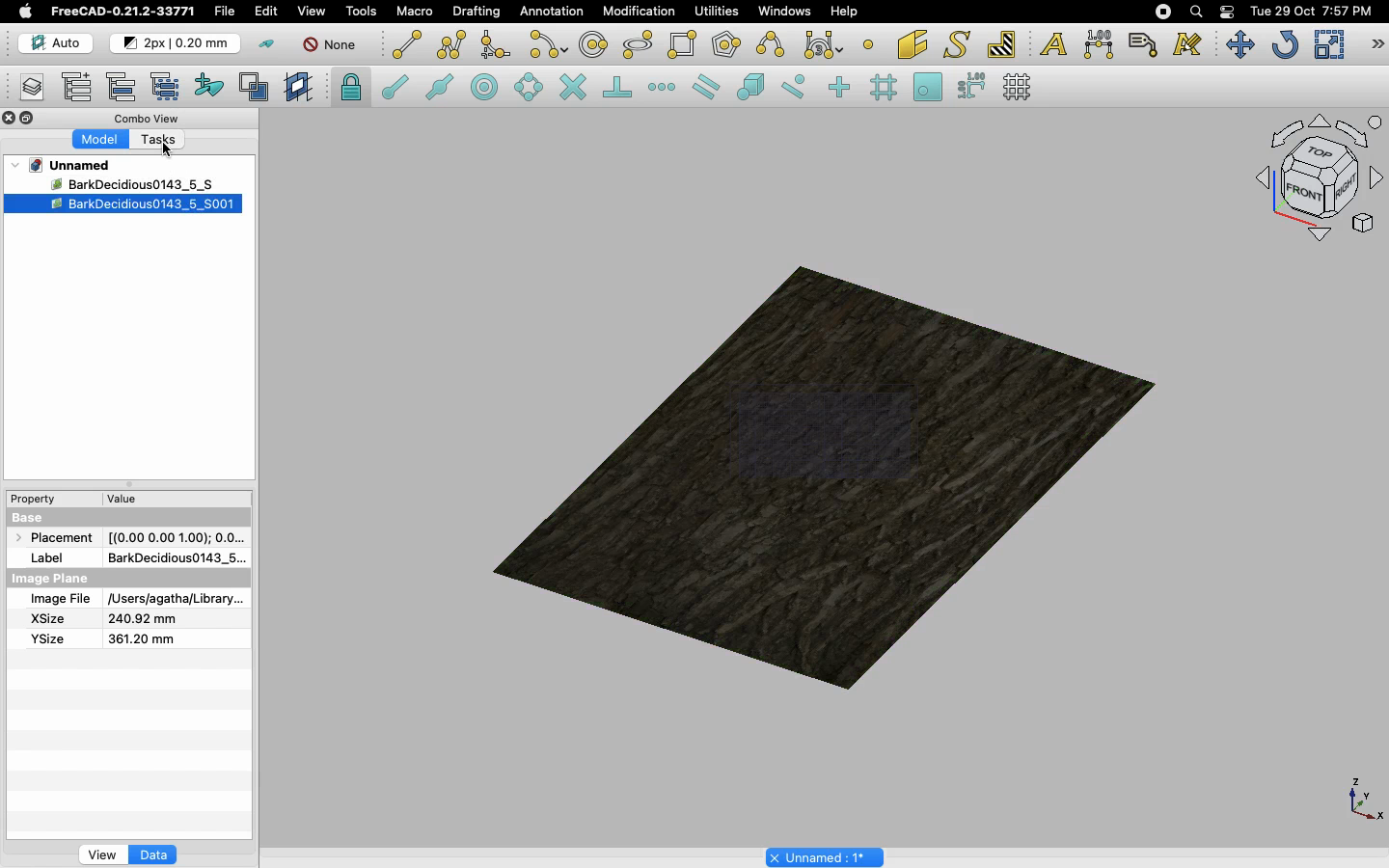 This screenshot has height=868, width=1389. Describe the element at coordinates (52, 556) in the screenshot. I see `label` at that location.